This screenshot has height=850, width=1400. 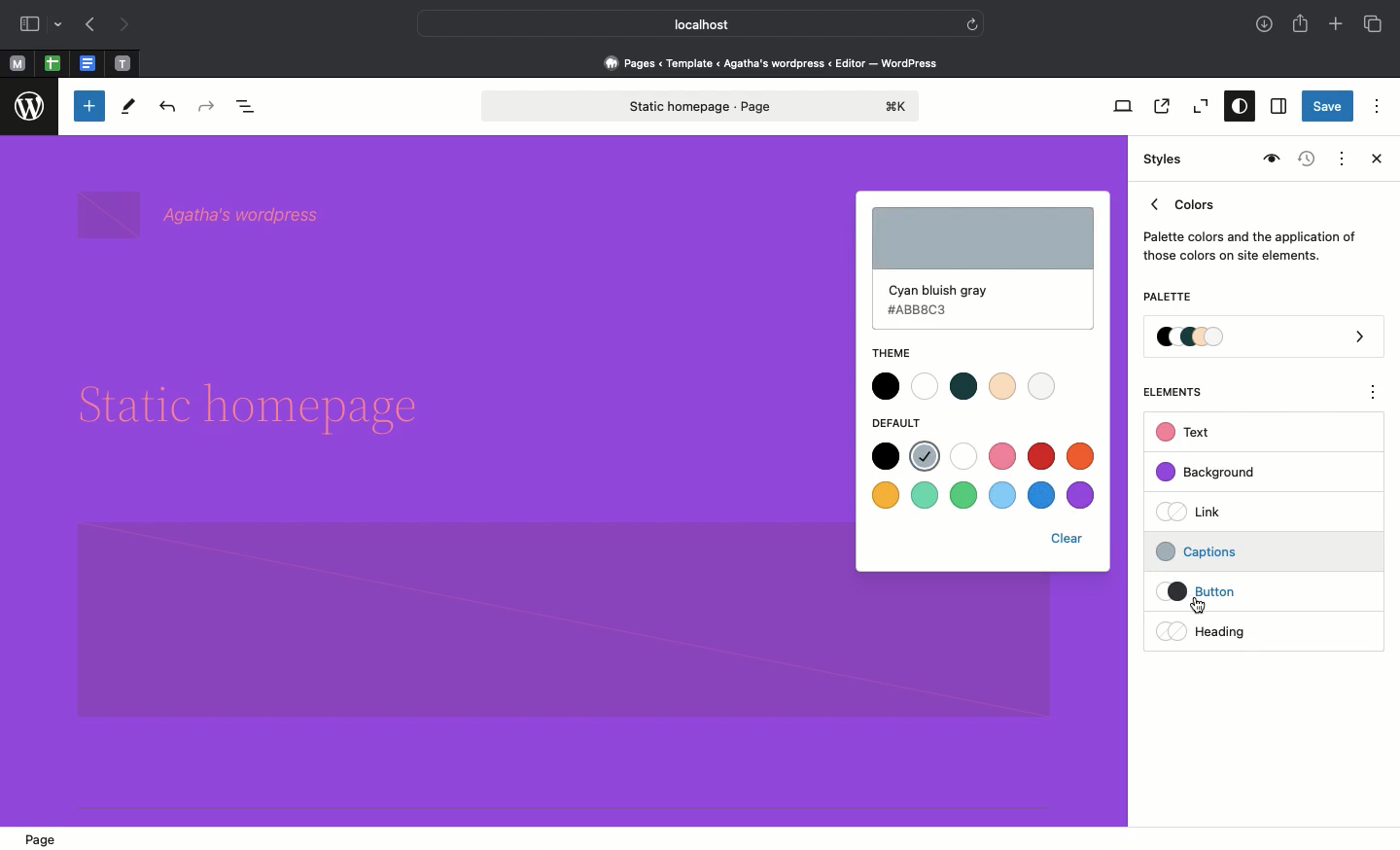 I want to click on Pages < Template <Agatha's wordpress < editor - wordpress, so click(x=778, y=62).